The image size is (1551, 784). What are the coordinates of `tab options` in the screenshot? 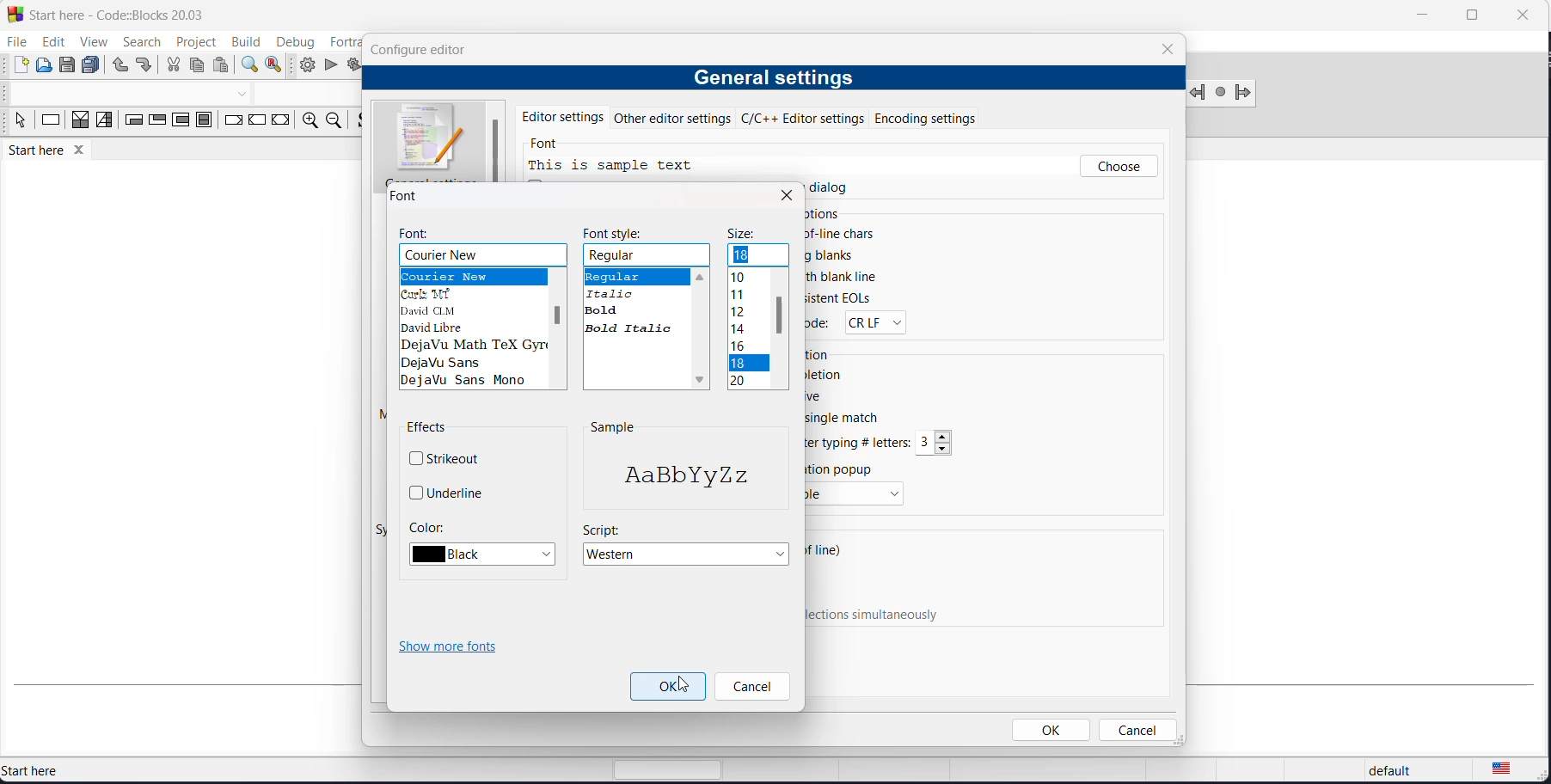 It's located at (574, 214).